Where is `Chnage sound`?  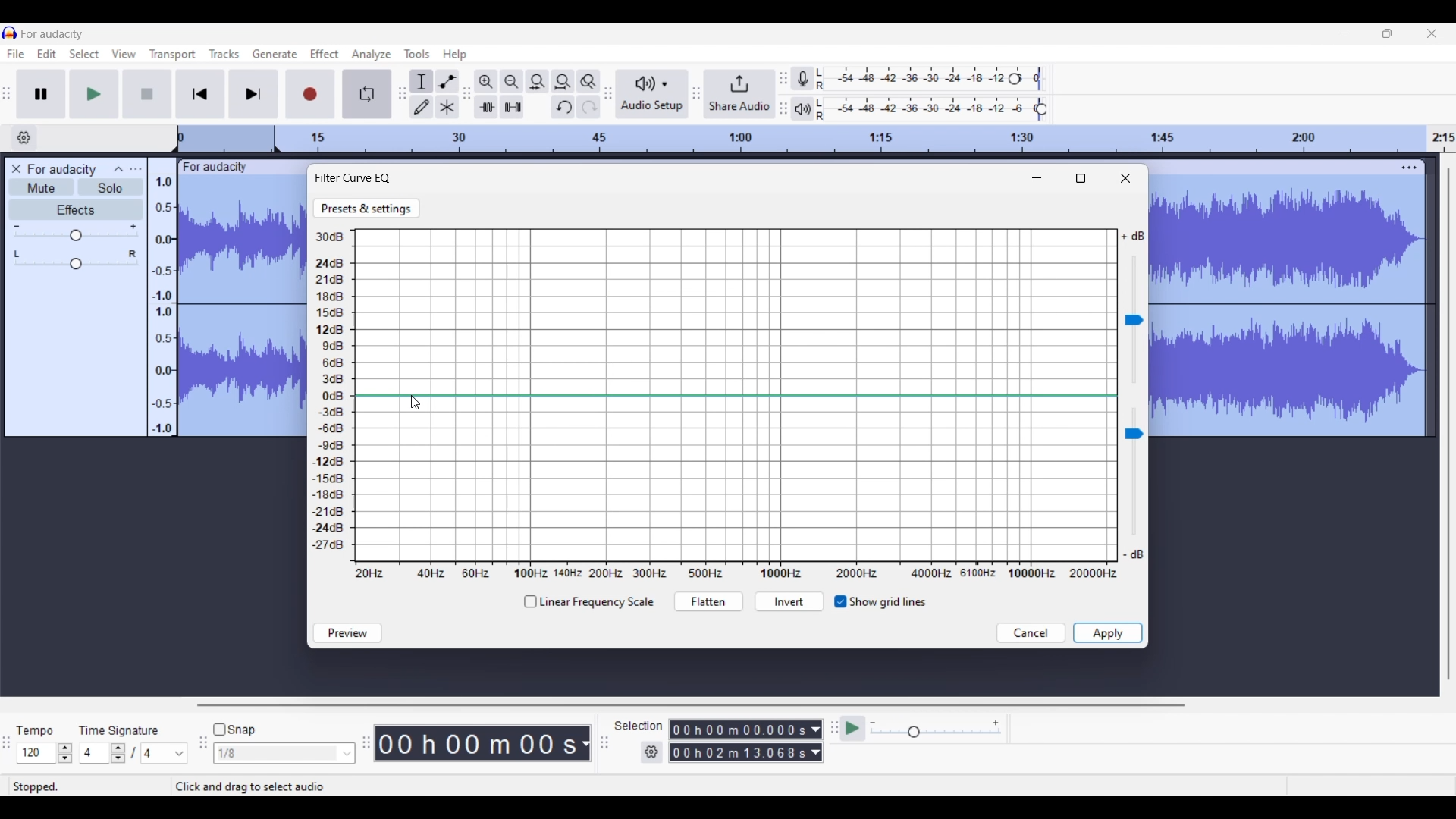
Chnage sound is located at coordinates (1134, 472).